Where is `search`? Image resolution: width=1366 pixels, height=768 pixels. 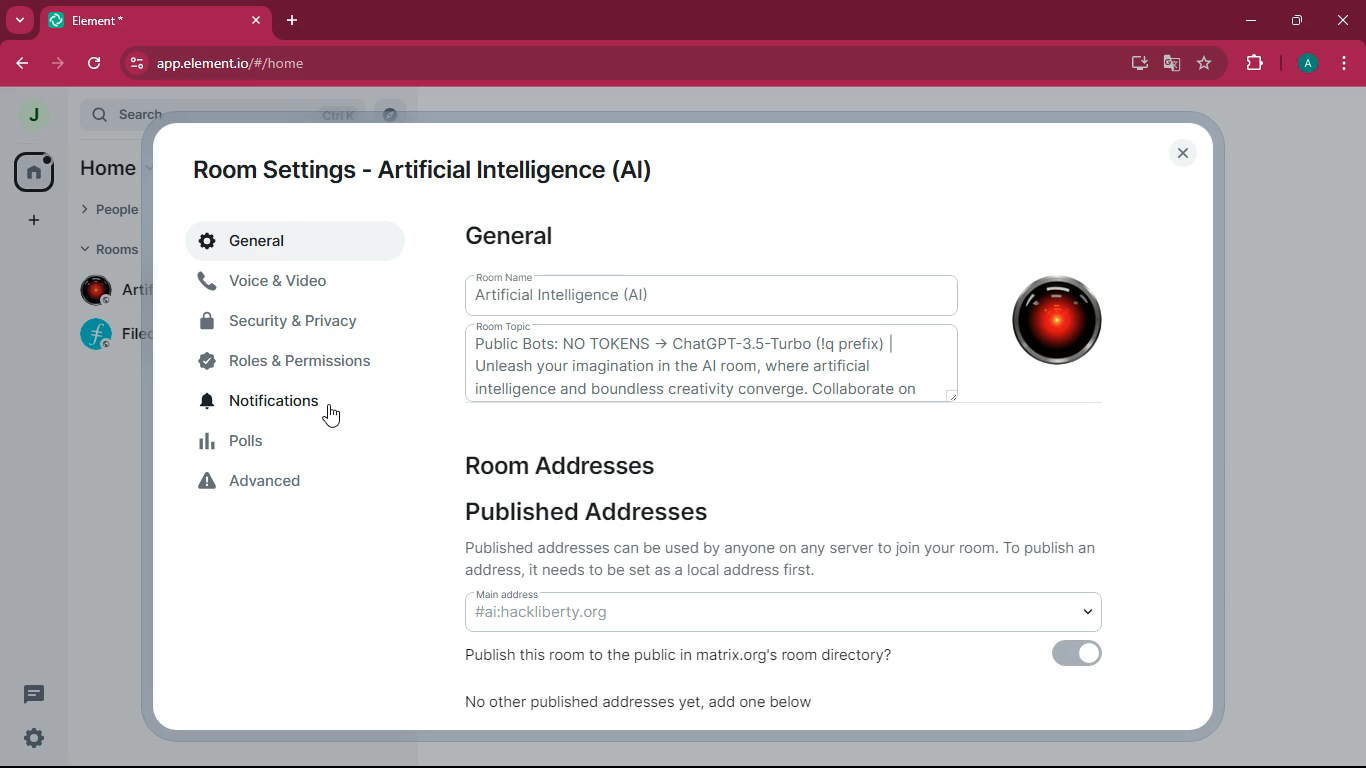
search is located at coordinates (392, 114).